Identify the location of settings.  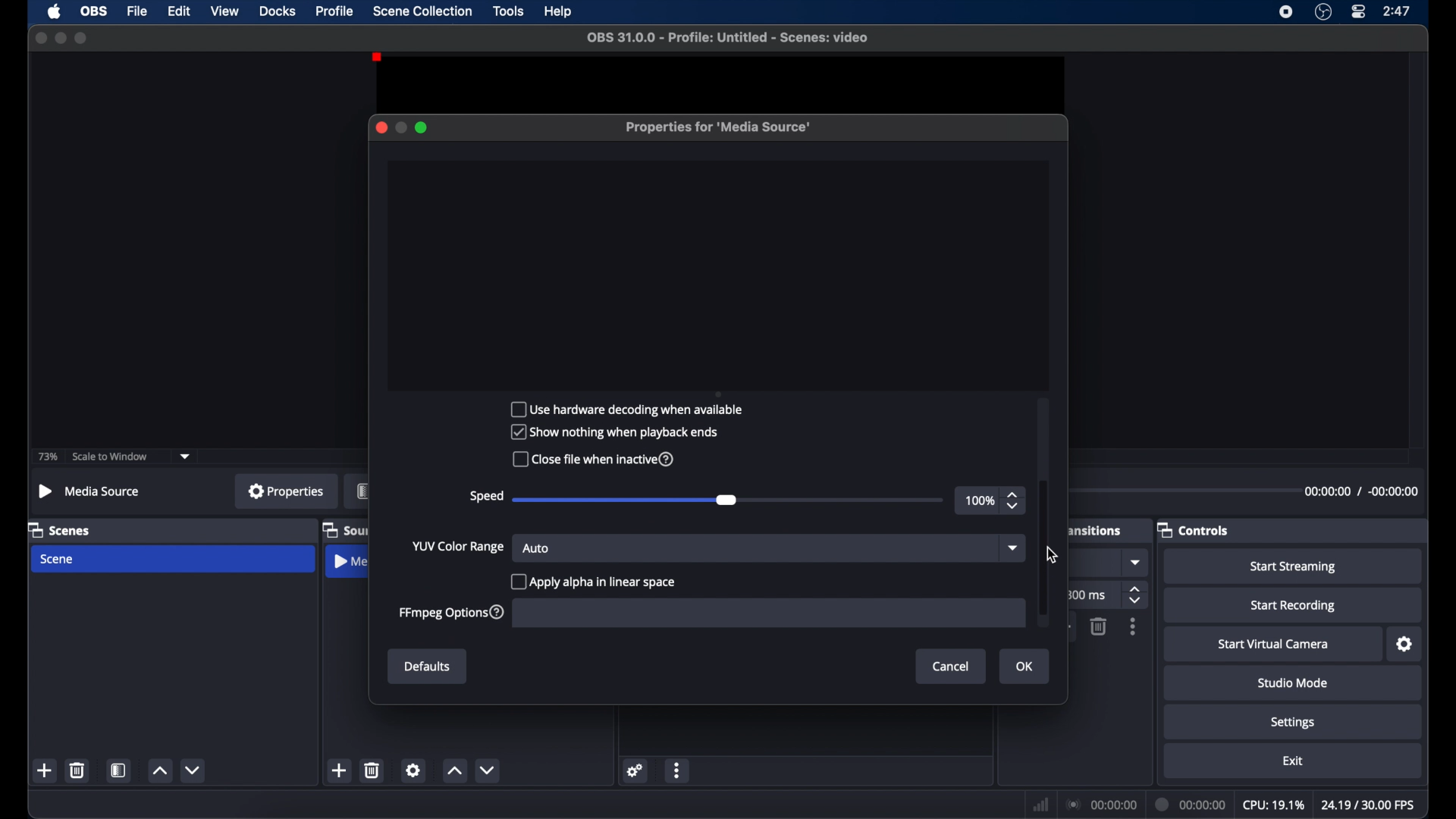
(1404, 645).